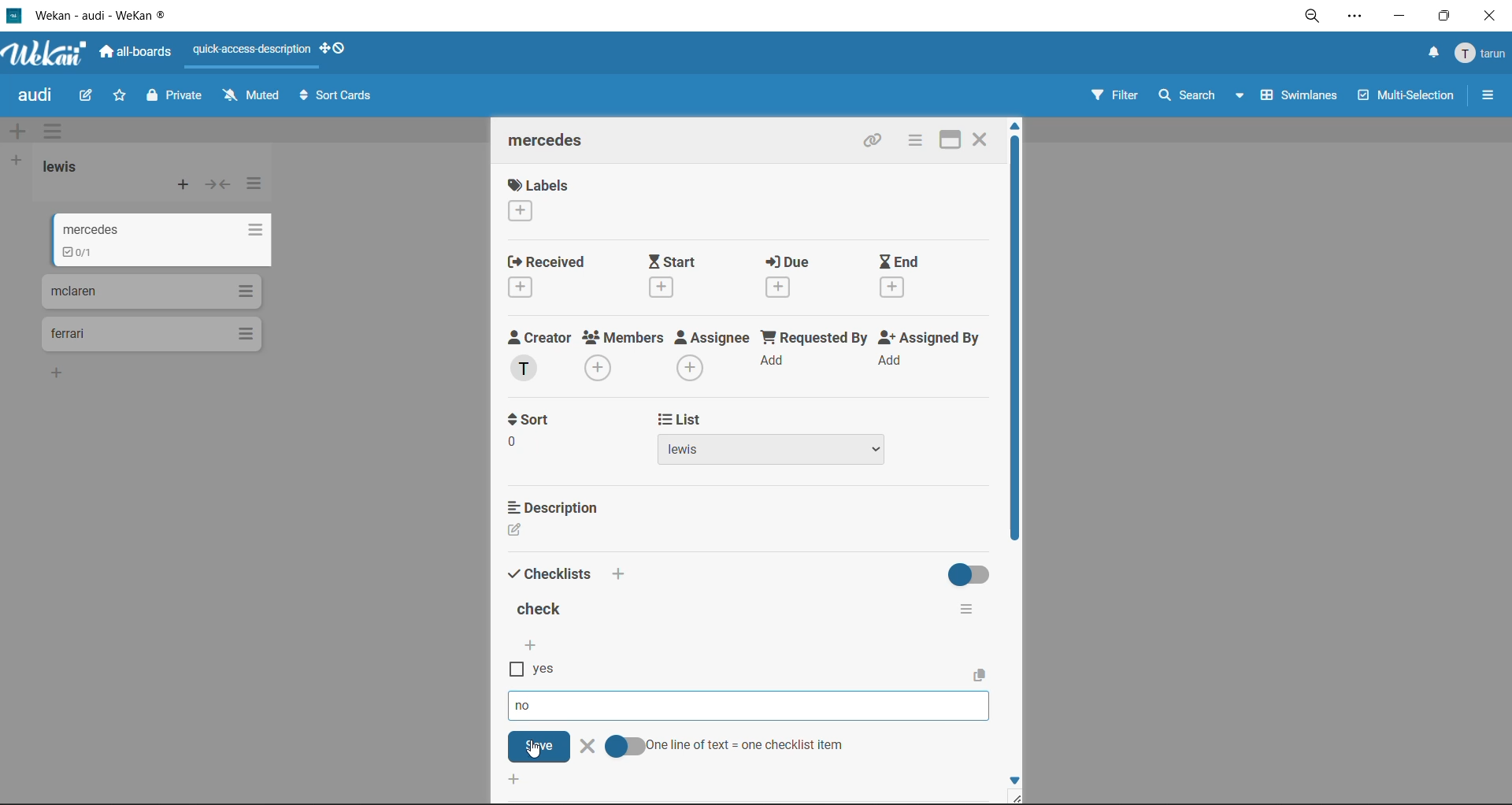 The image size is (1512, 805). I want to click on copy, so click(876, 143).